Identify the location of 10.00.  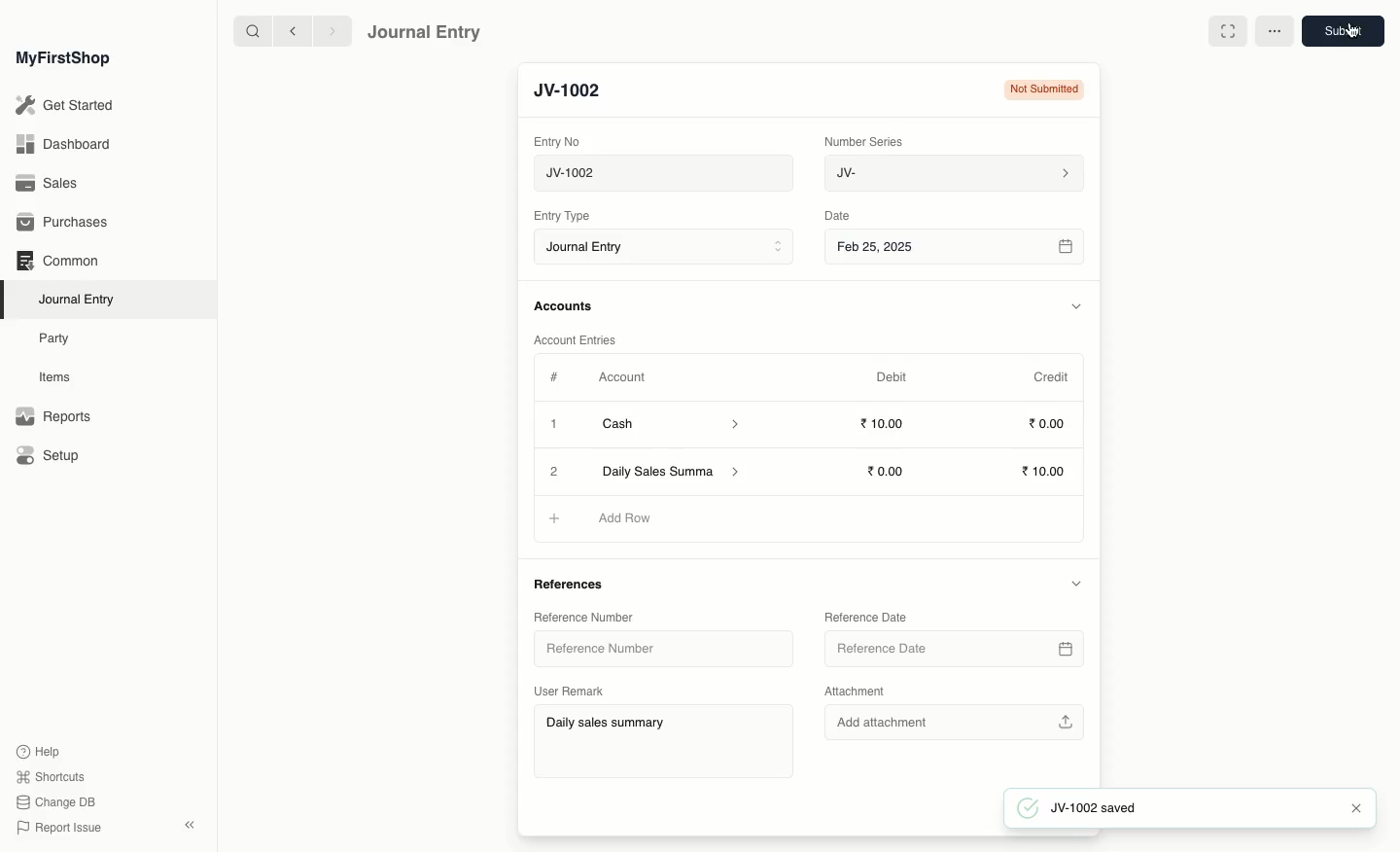
(1046, 473).